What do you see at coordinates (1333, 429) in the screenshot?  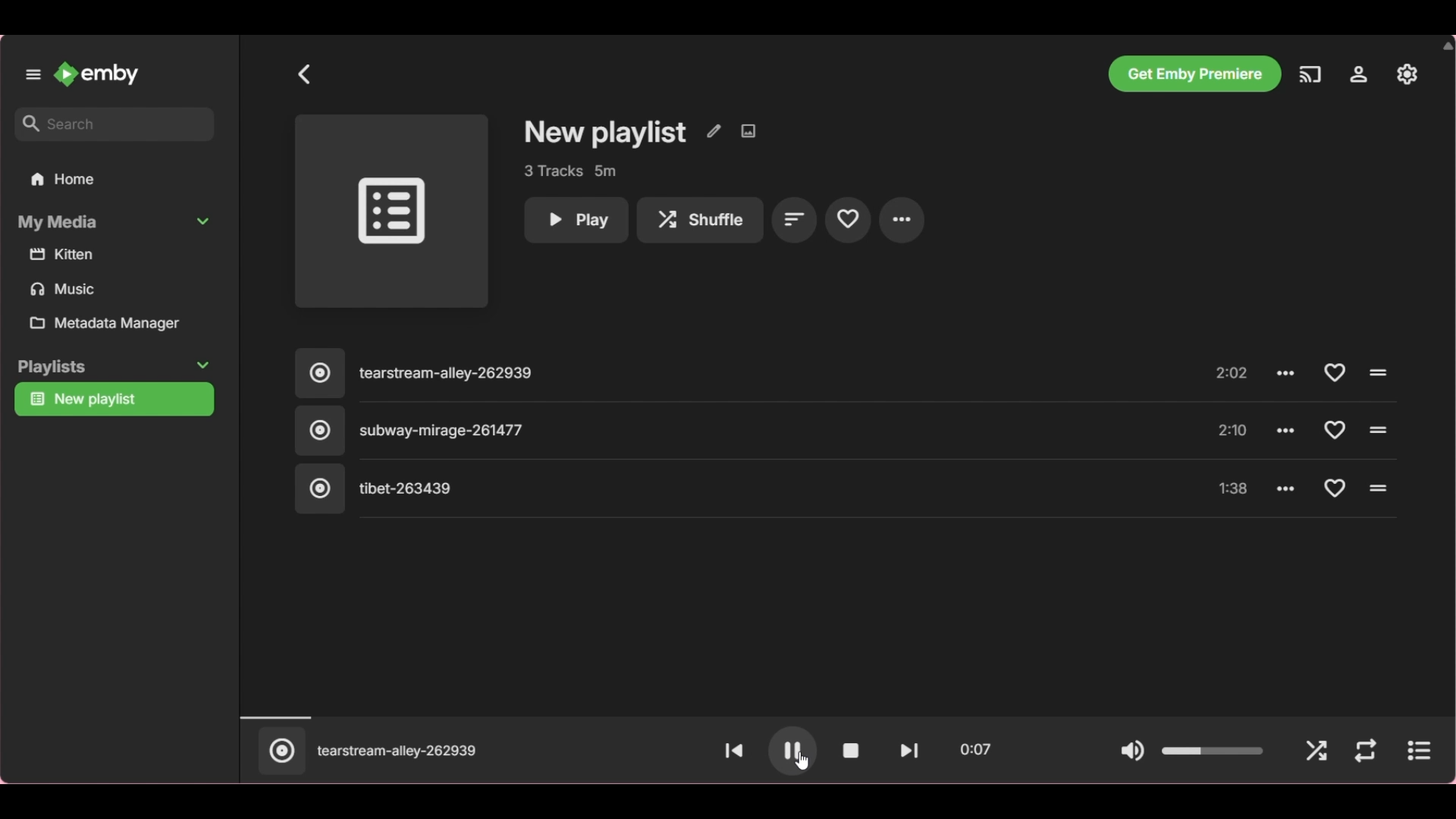 I see `Add respective song to favorites` at bounding box center [1333, 429].